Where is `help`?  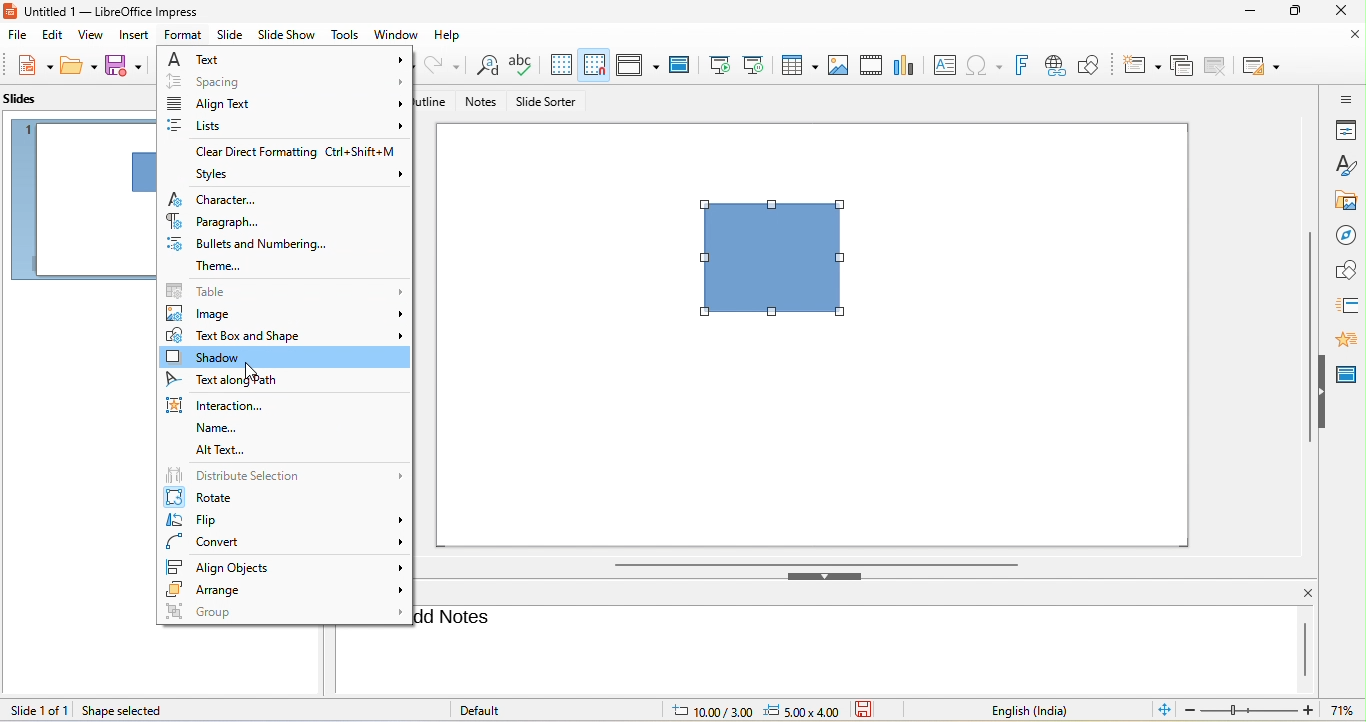
help is located at coordinates (455, 36).